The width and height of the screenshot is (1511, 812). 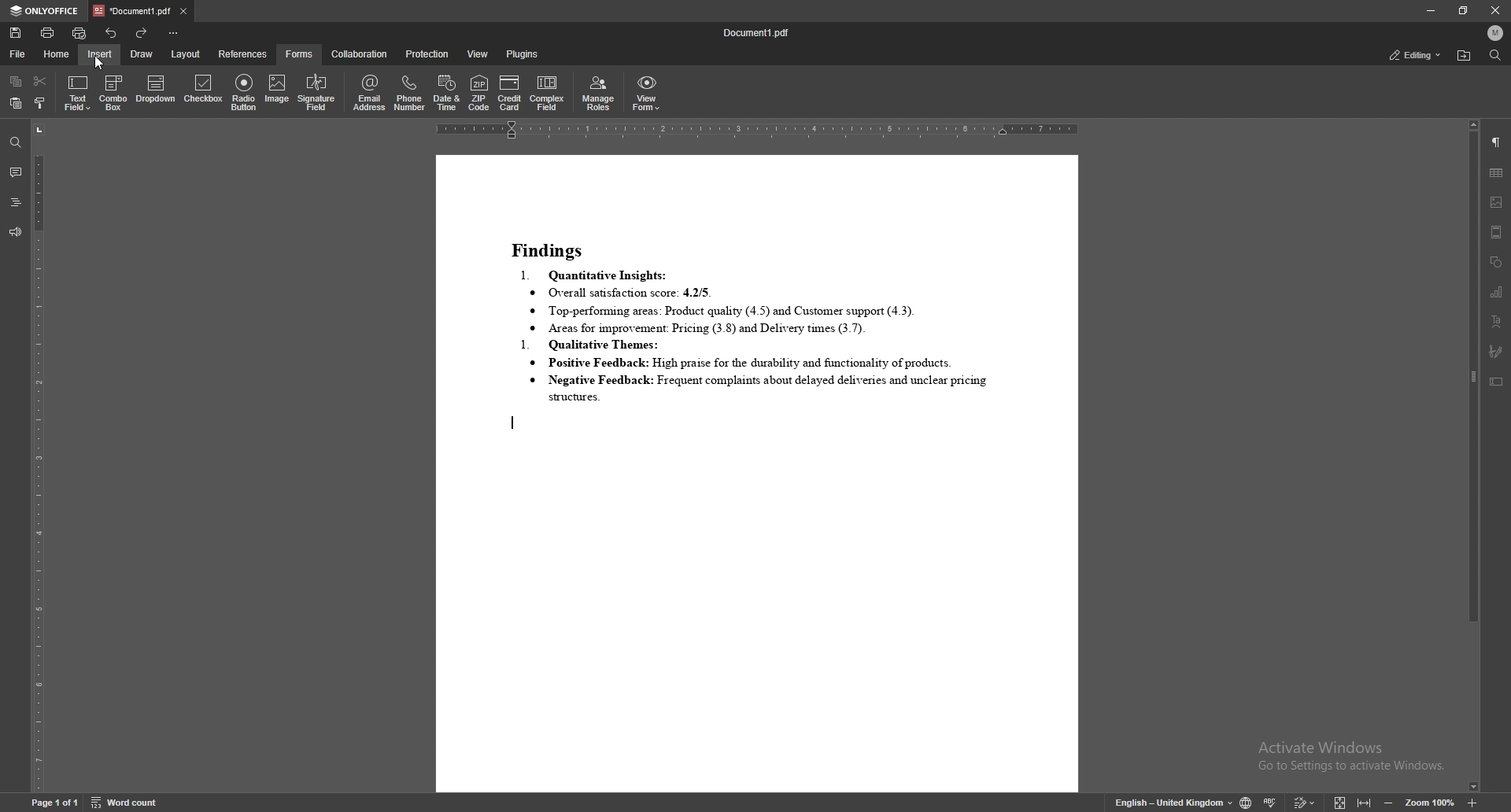 I want to click on phone number, so click(x=410, y=91).